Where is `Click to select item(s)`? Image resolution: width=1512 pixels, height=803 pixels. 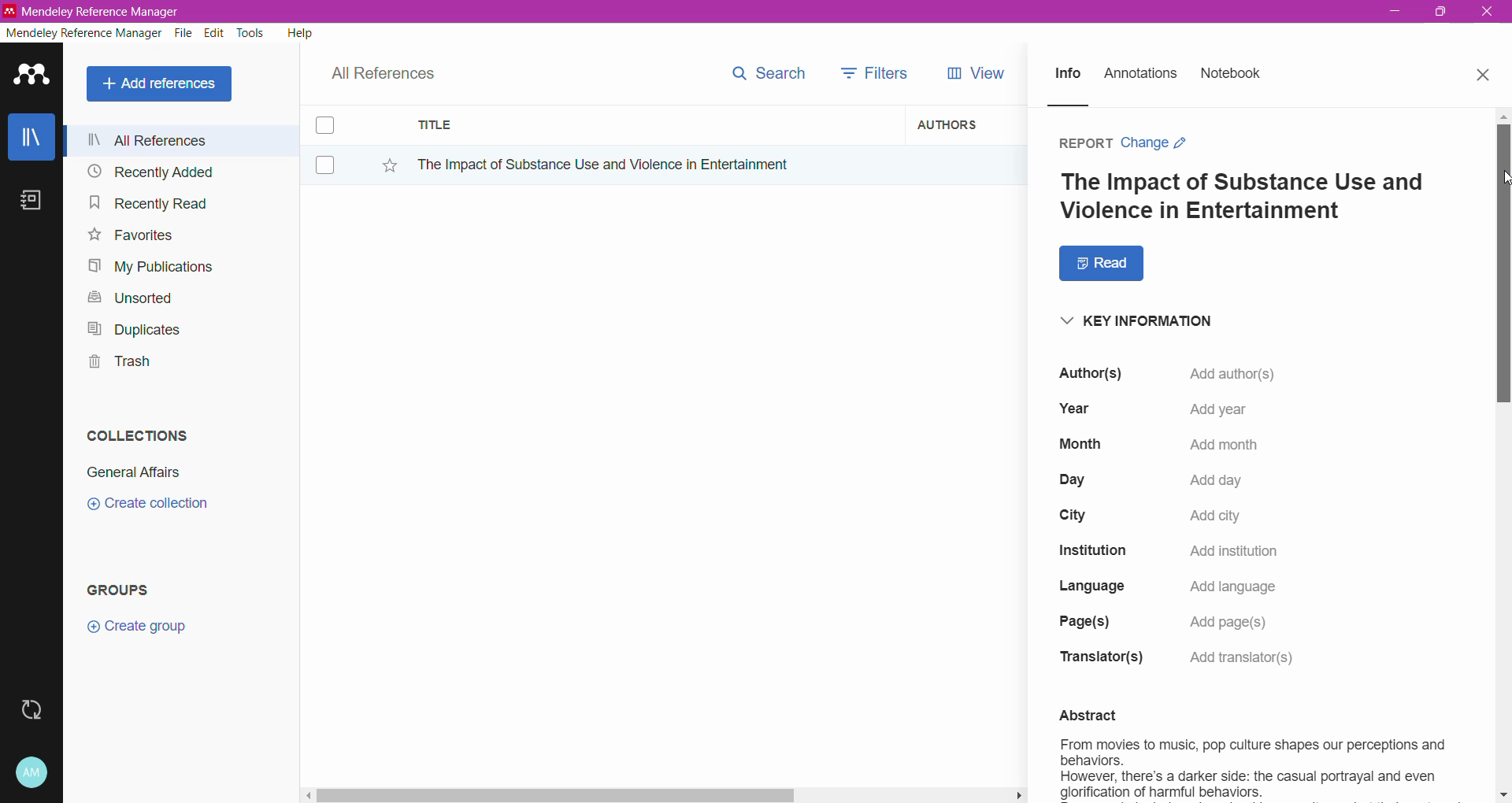 Click to select item(s) is located at coordinates (333, 144).